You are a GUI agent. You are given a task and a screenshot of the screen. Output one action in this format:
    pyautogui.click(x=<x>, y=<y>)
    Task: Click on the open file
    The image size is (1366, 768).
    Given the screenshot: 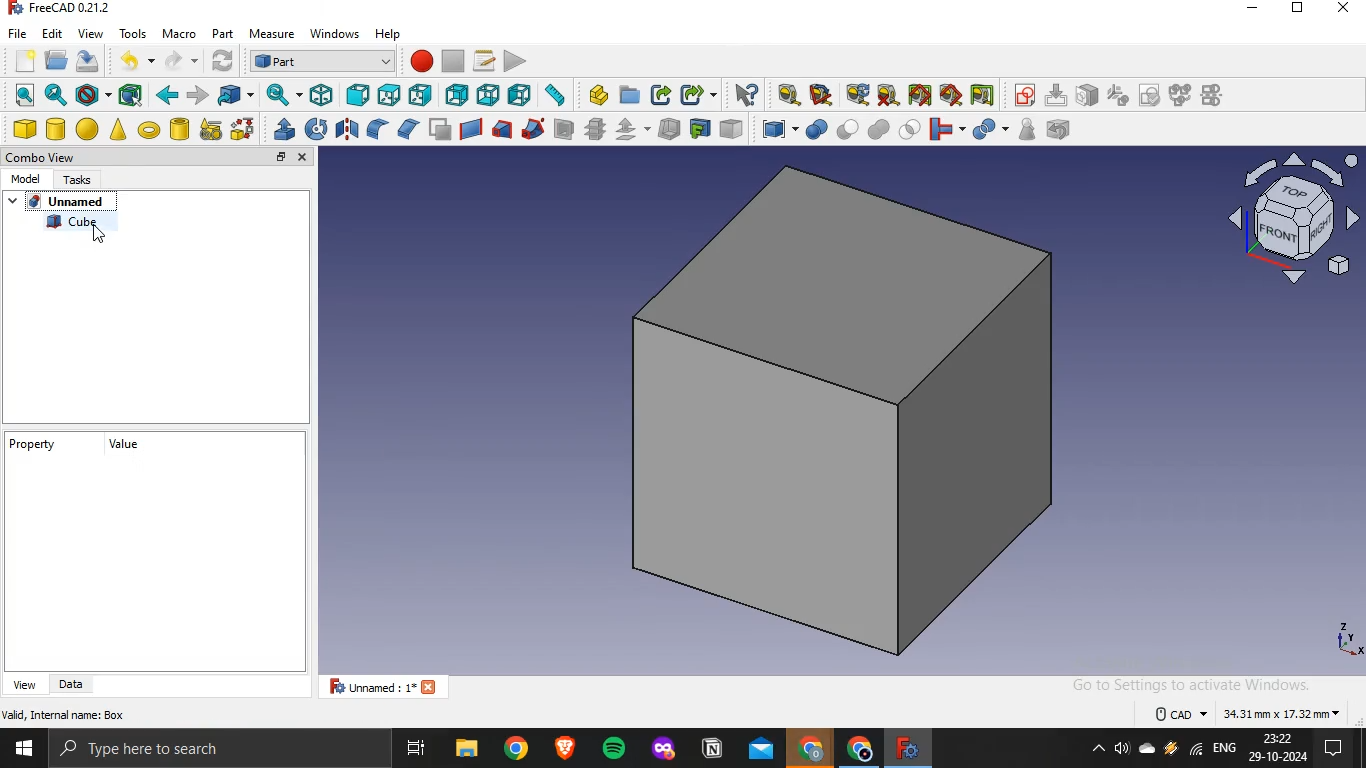 What is the action you would take?
    pyautogui.click(x=54, y=59)
    